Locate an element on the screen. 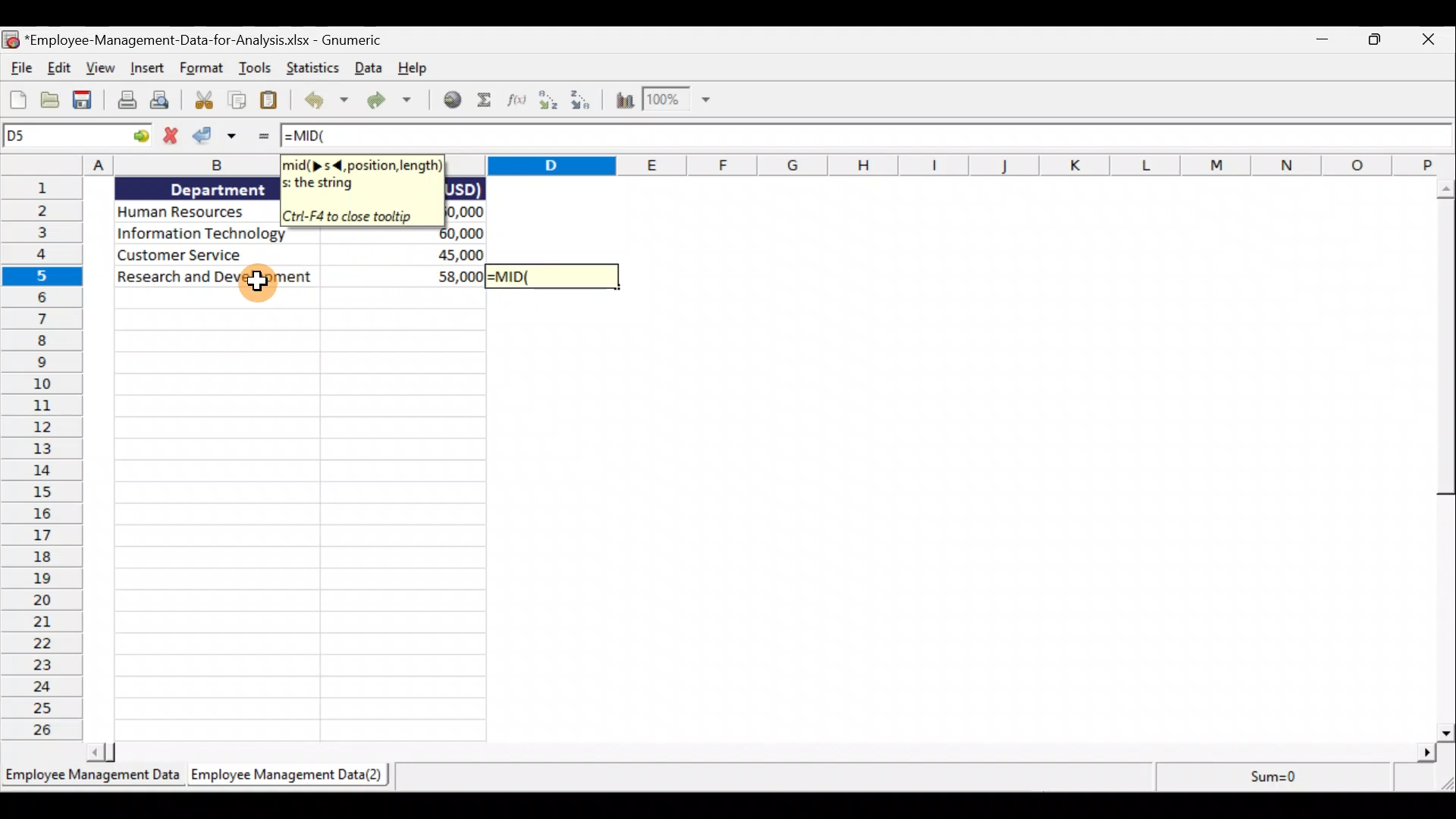 Image resolution: width=1456 pixels, height=819 pixels. Paste is located at coordinates (270, 99).